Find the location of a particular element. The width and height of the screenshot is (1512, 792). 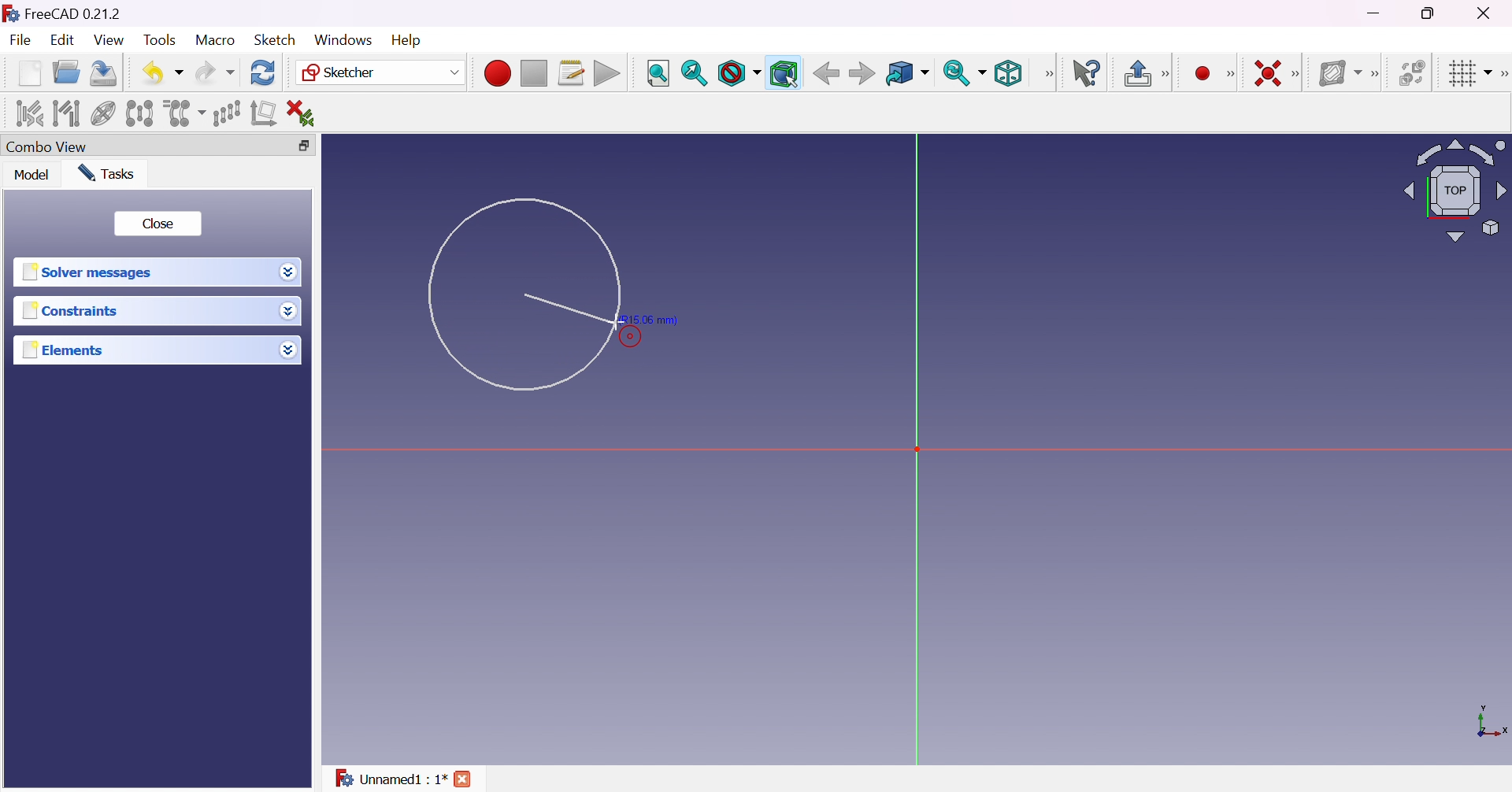

Macro is located at coordinates (216, 39).